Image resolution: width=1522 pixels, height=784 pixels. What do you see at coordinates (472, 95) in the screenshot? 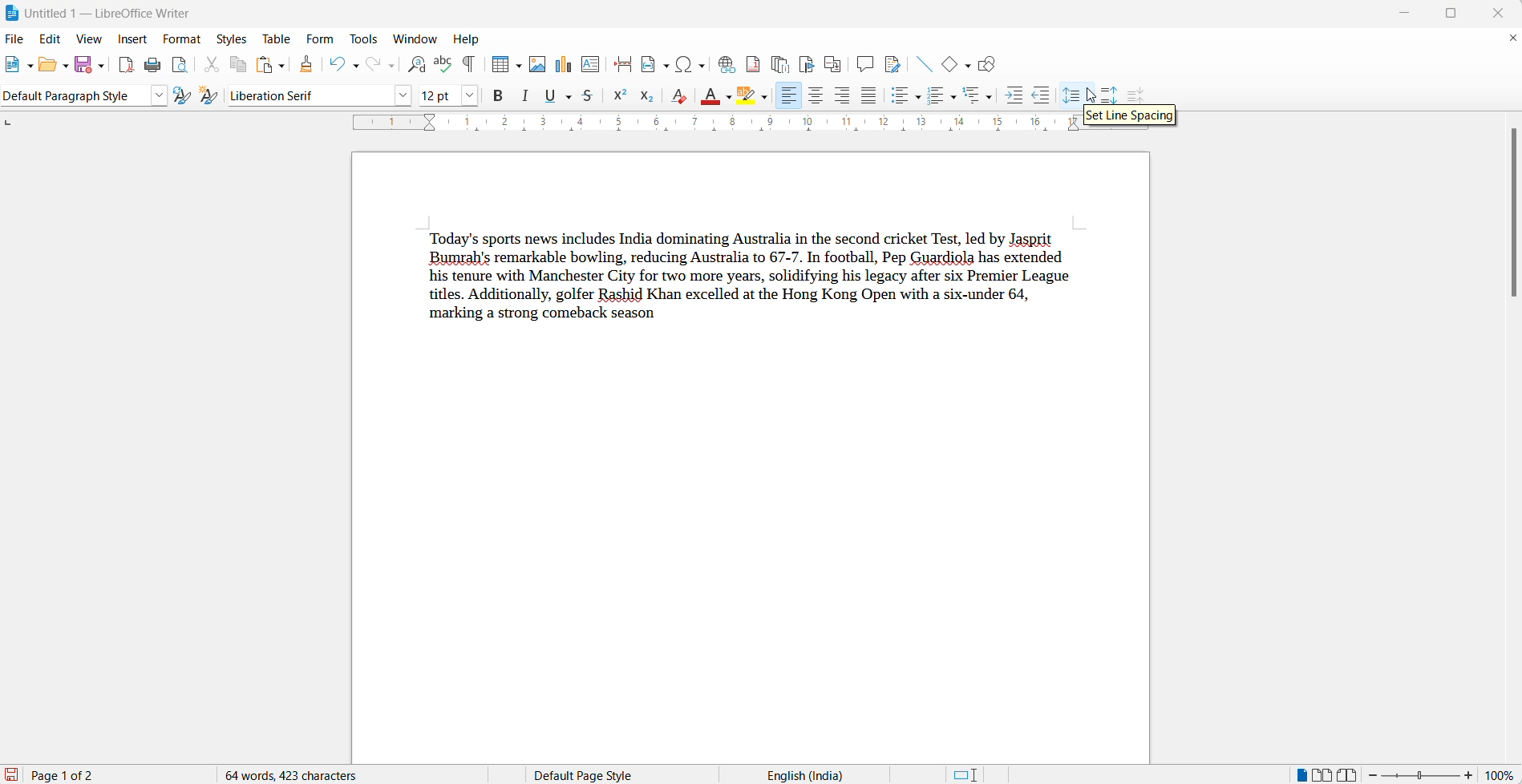
I see `font size options` at bounding box center [472, 95].